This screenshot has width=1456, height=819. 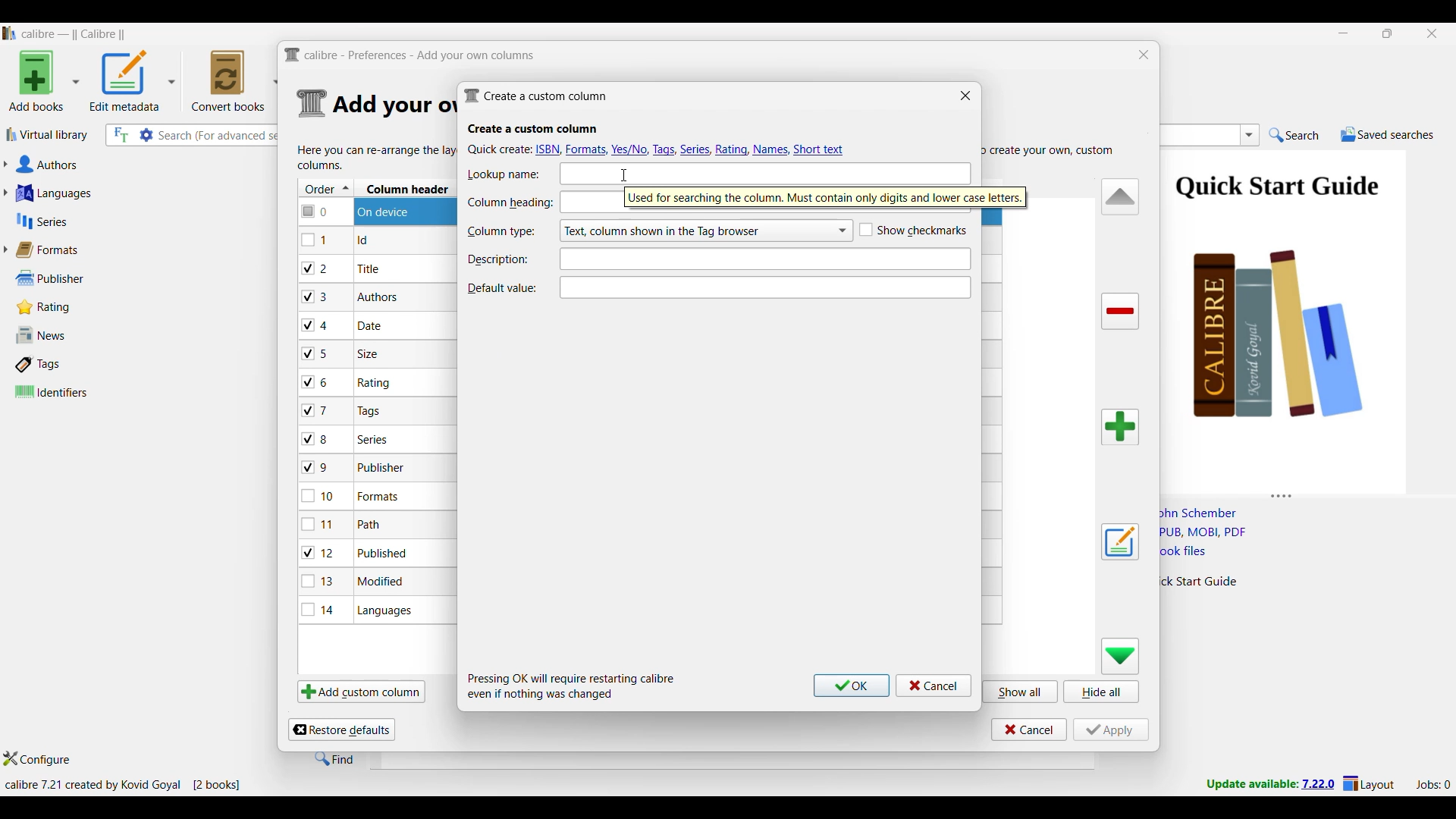 I want to click on Order column, current sorting, so click(x=326, y=188).